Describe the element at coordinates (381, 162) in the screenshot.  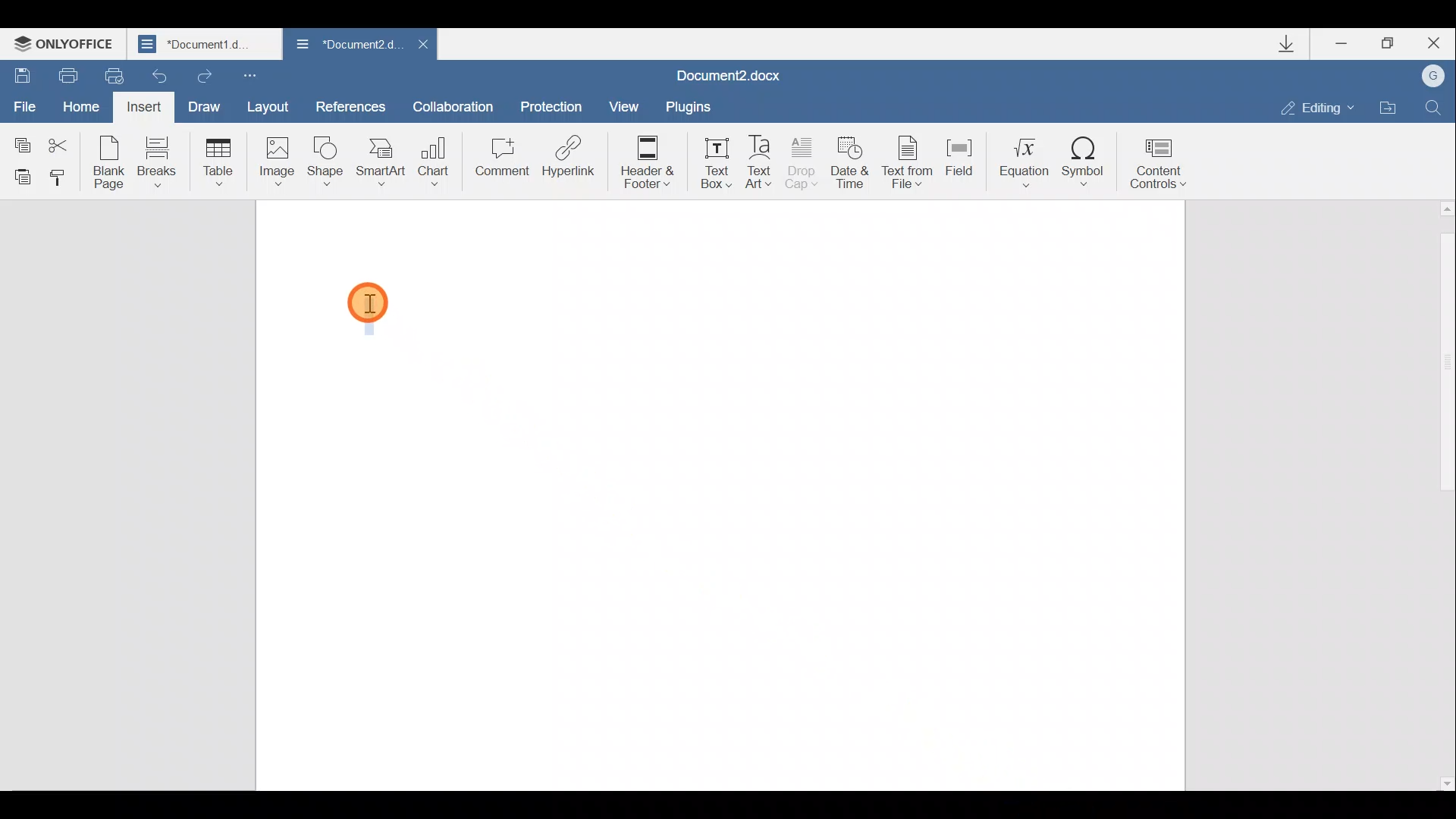
I see `SmartArt` at that location.